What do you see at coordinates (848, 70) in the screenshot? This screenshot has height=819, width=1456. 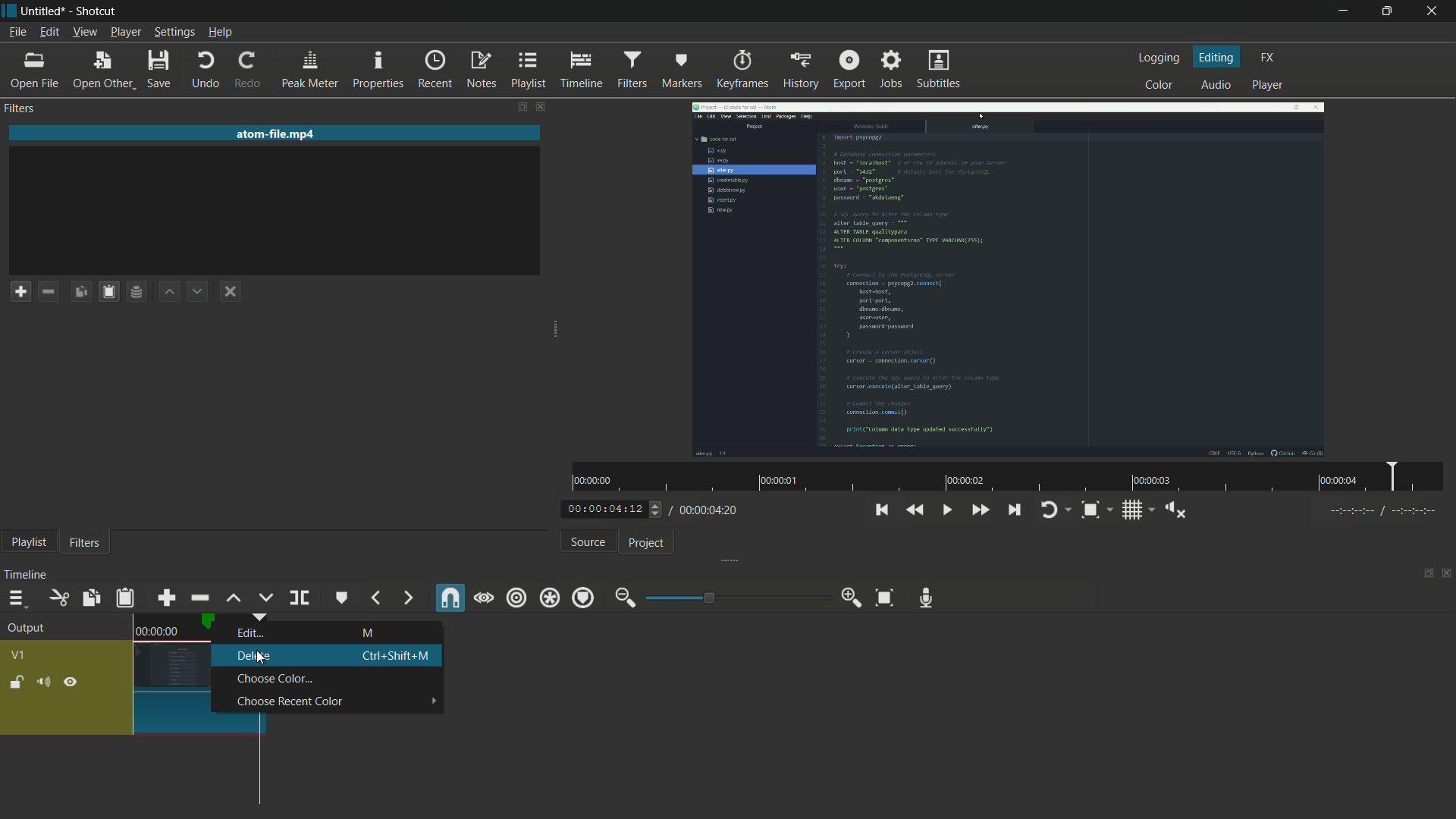 I see `export` at bounding box center [848, 70].